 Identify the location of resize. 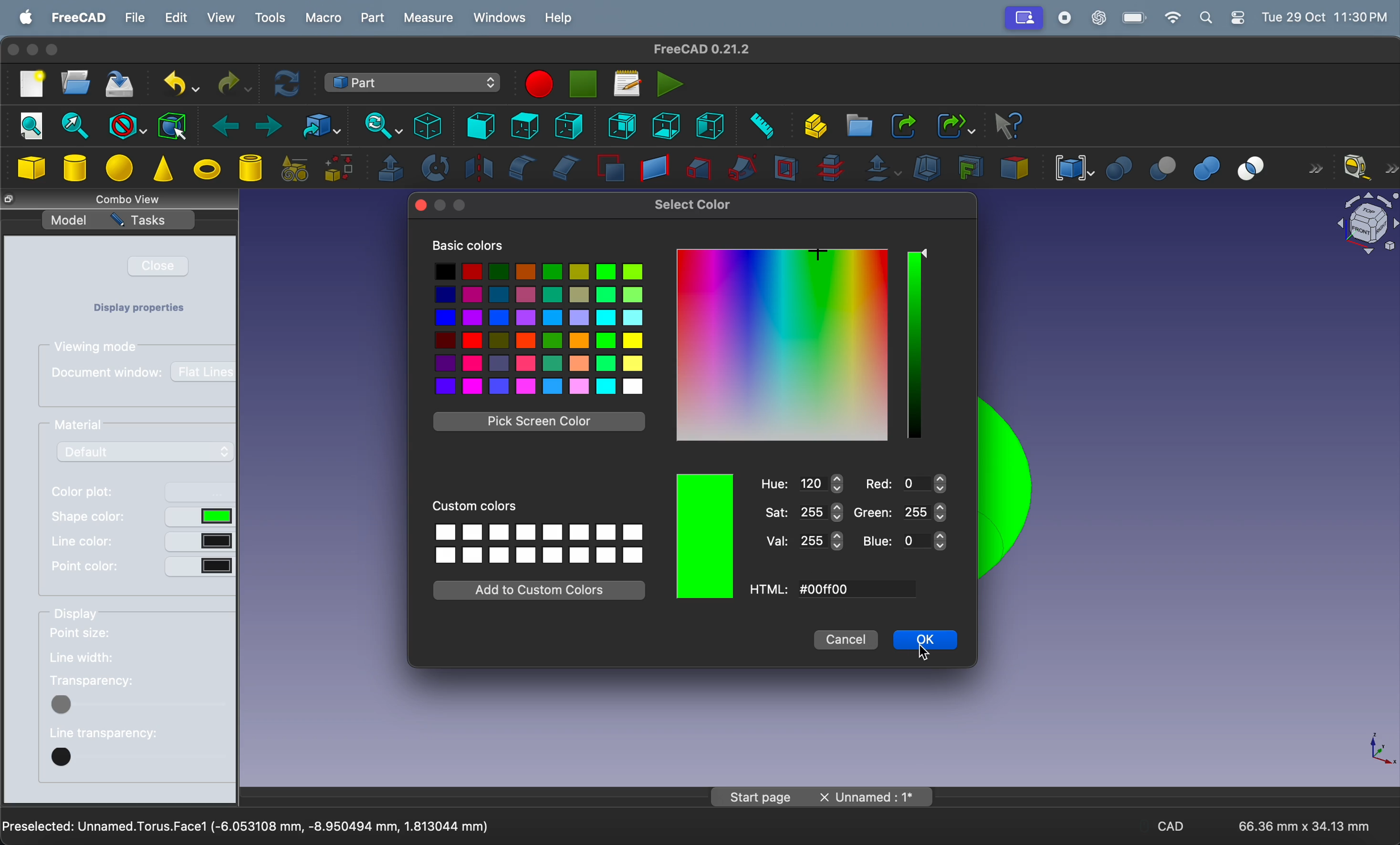
(9, 200).